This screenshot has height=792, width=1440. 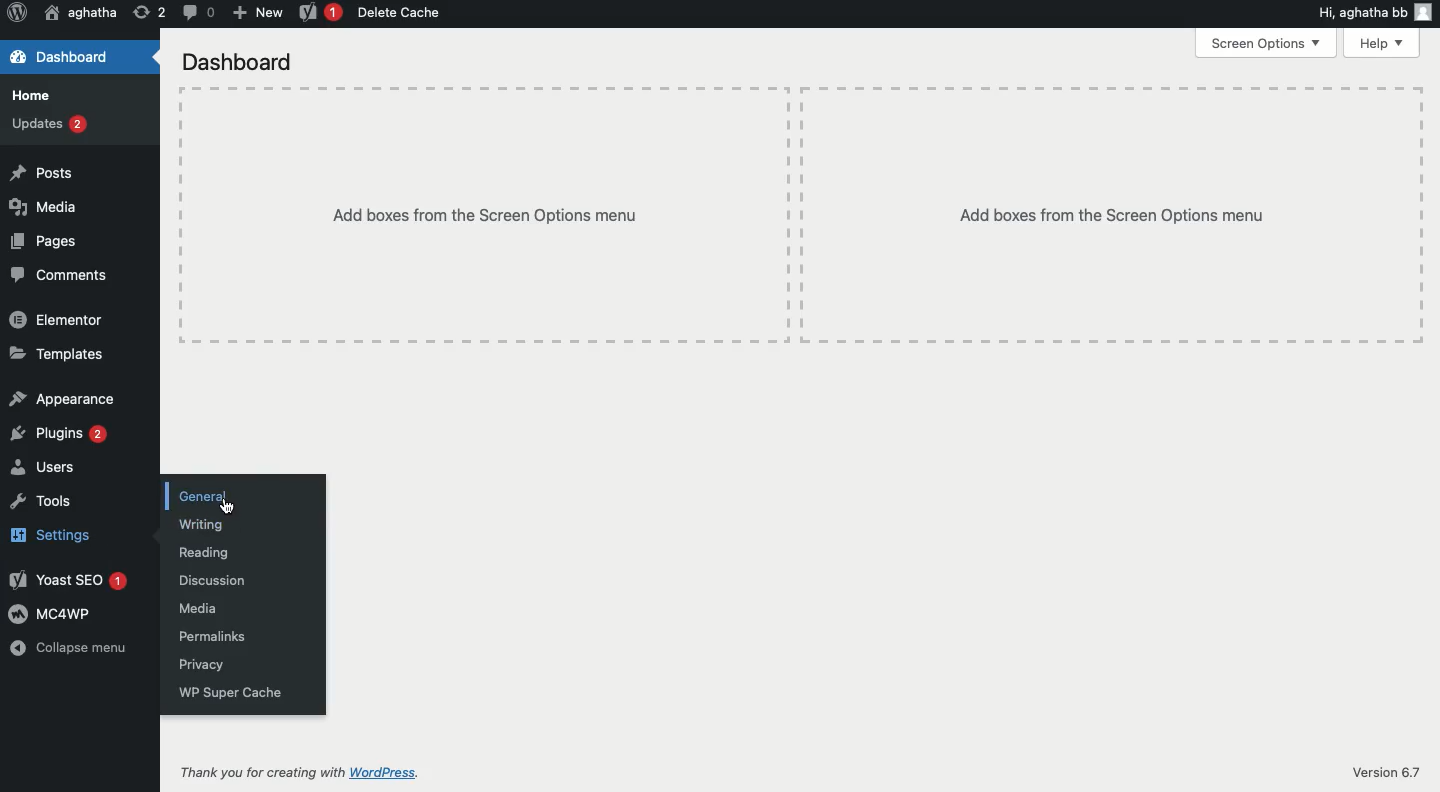 I want to click on Media, so click(x=197, y=609).